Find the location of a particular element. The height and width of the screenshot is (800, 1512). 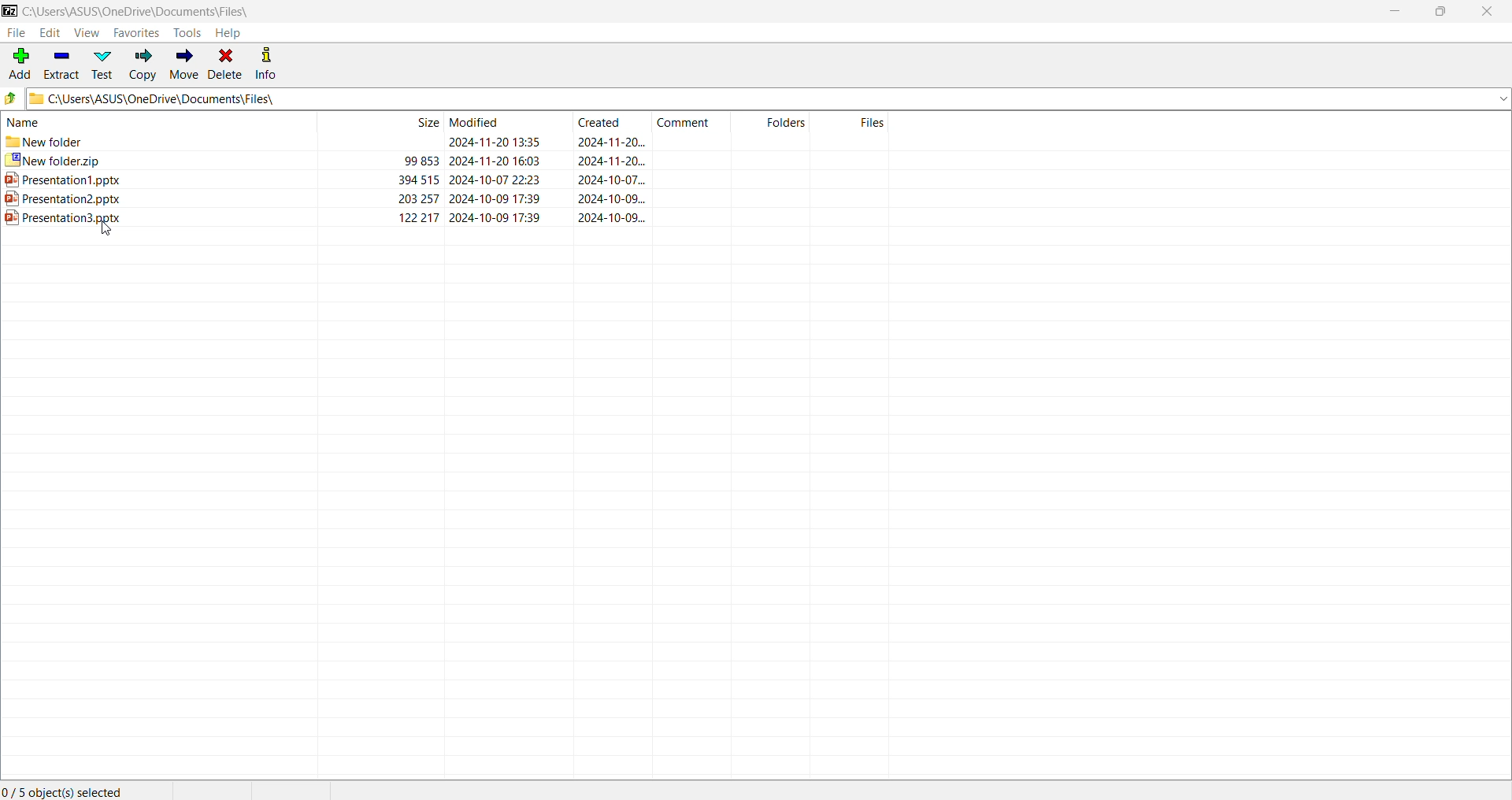

Favorites is located at coordinates (135, 34).